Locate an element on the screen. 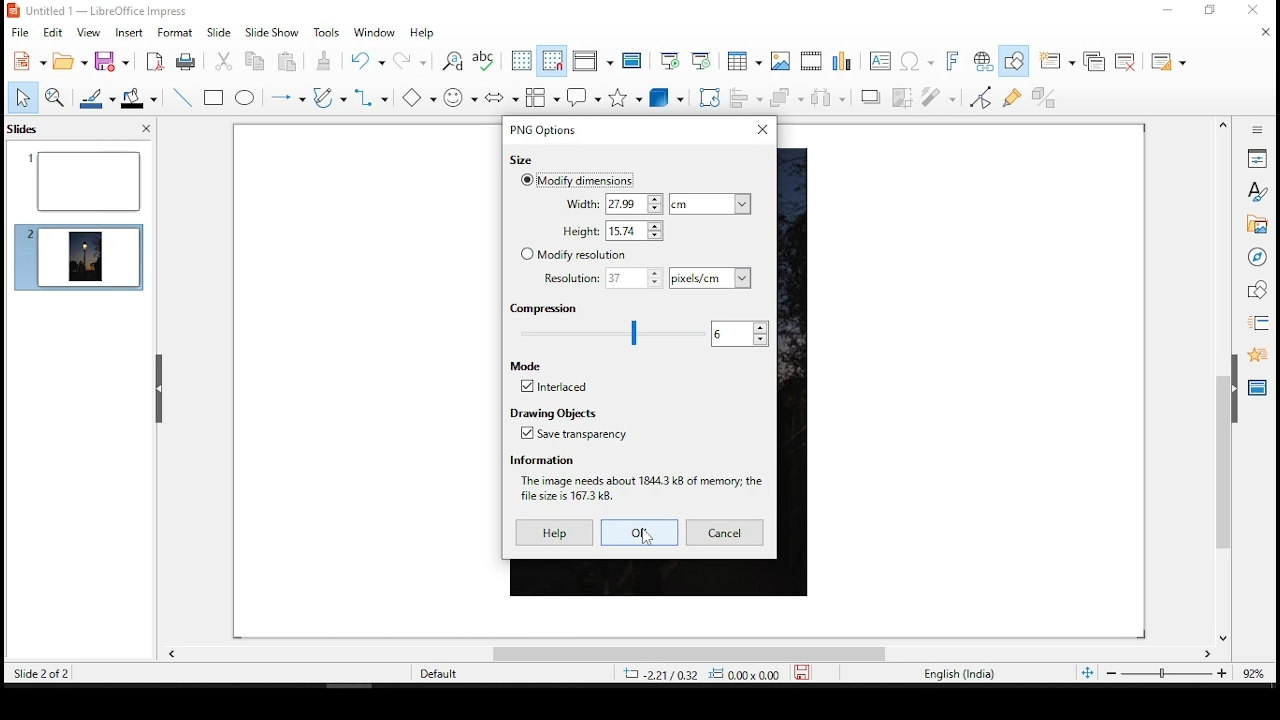  paste is located at coordinates (325, 63).